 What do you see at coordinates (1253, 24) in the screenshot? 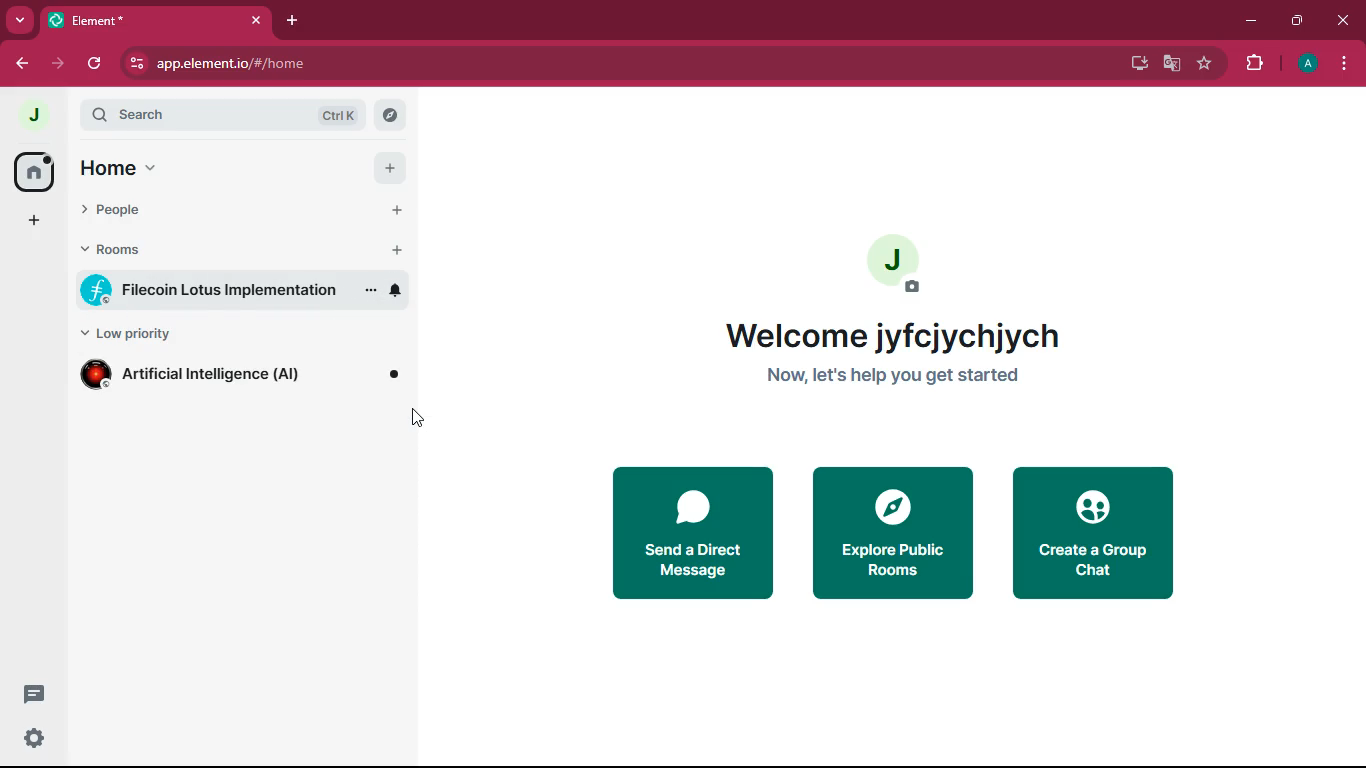
I see `minimize` at bounding box center [1253, 24].